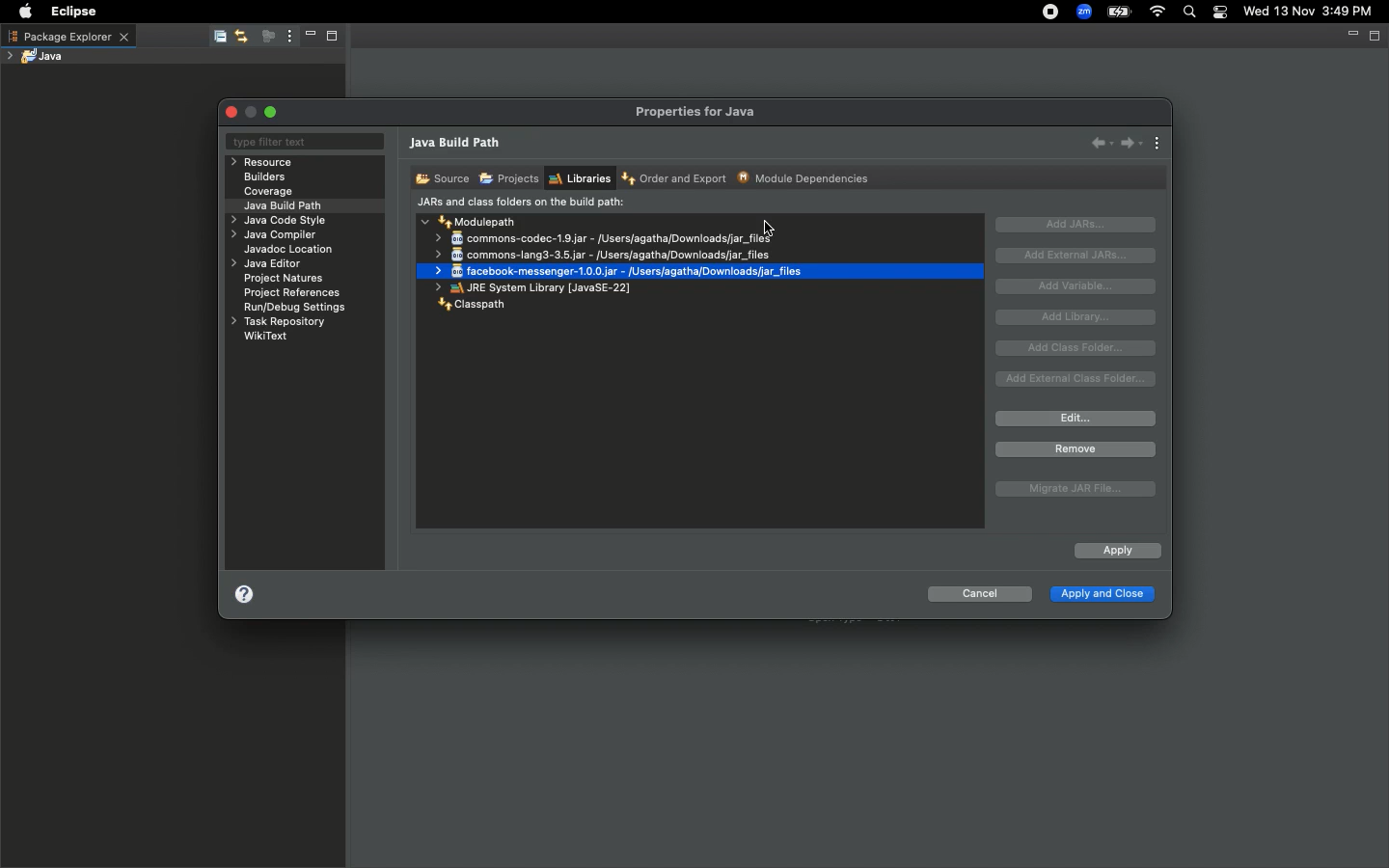 The width and height of the screenshot is (1389, 868). Describe the element at coordinates (770, 228) in the screenshot. I see `Pointer Cursor` at that location.